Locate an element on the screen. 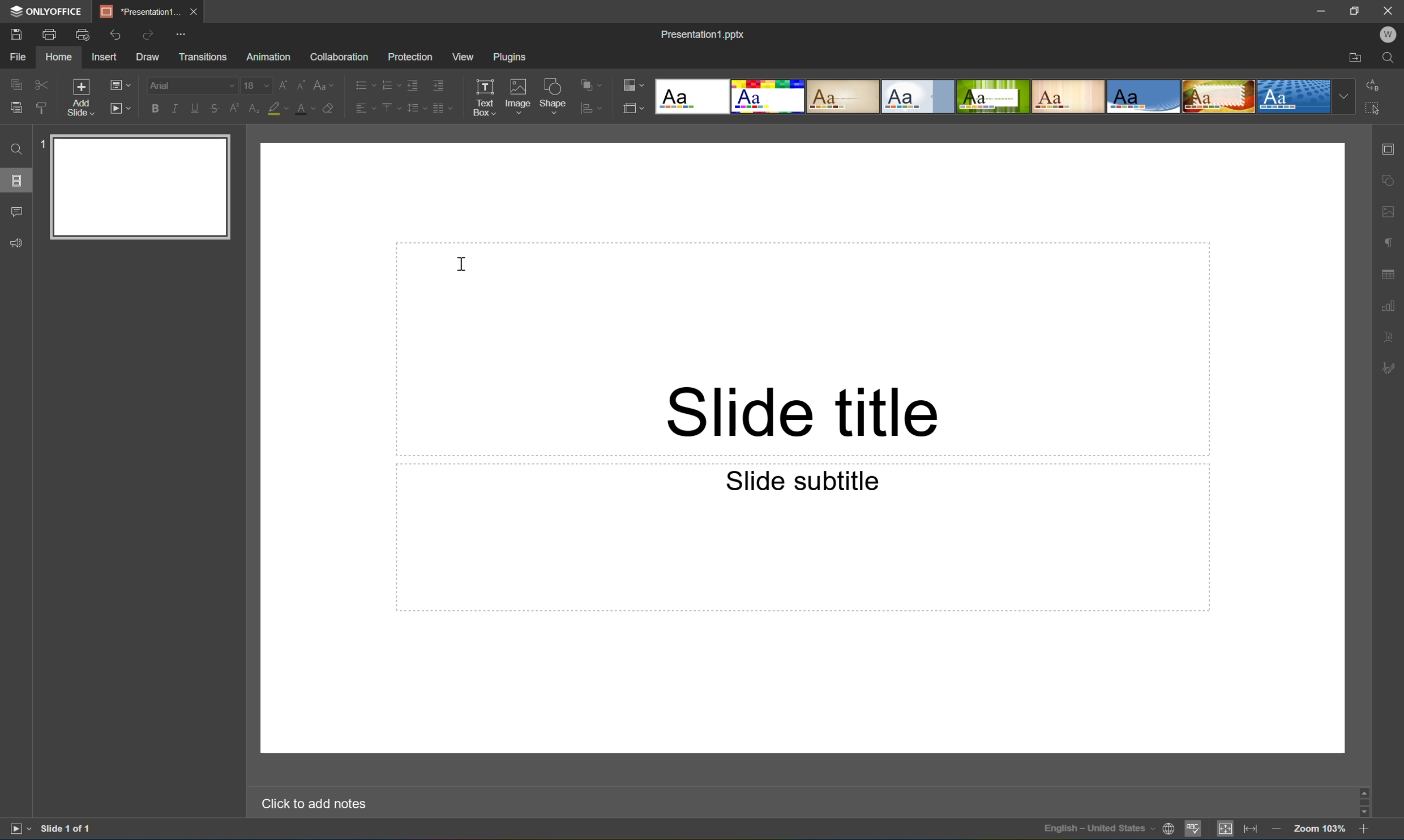 The height and width of the screenshot is (840, 1404). Change slide layout is located at coordinates (118, 84).